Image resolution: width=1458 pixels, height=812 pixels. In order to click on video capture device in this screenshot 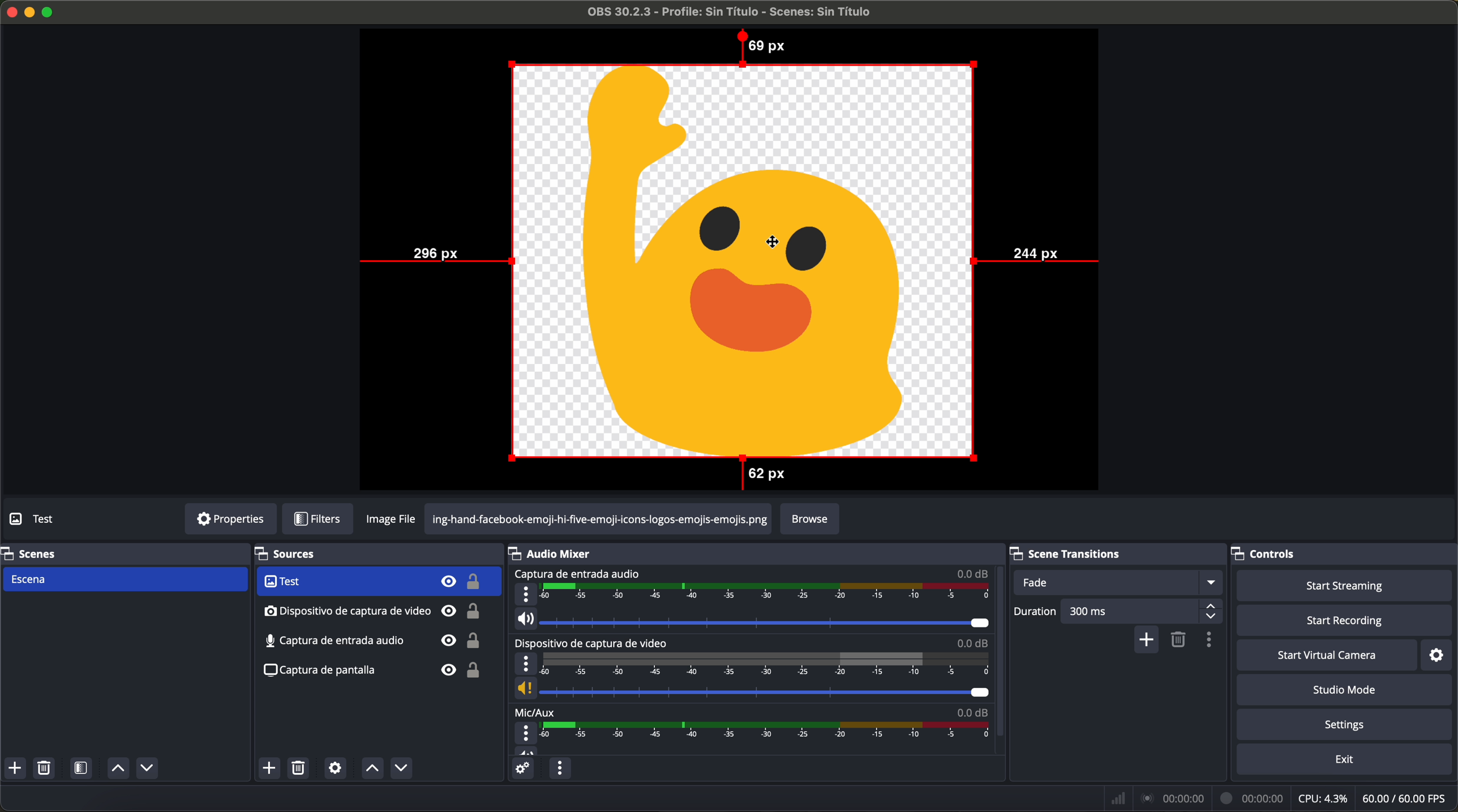, I will do `click(378, 582)`.